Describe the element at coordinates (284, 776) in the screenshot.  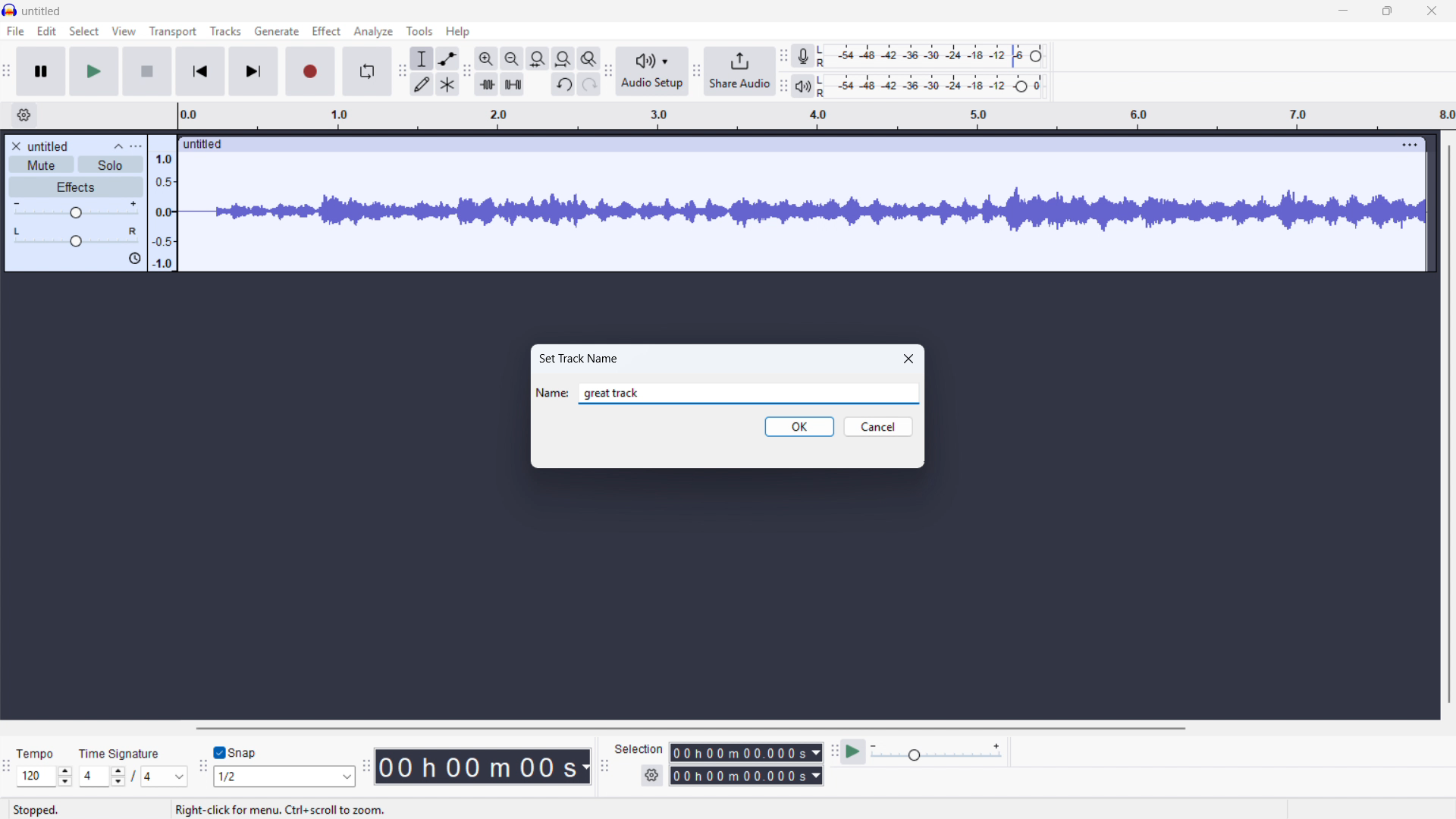
I see `Set snapping ` at that location.